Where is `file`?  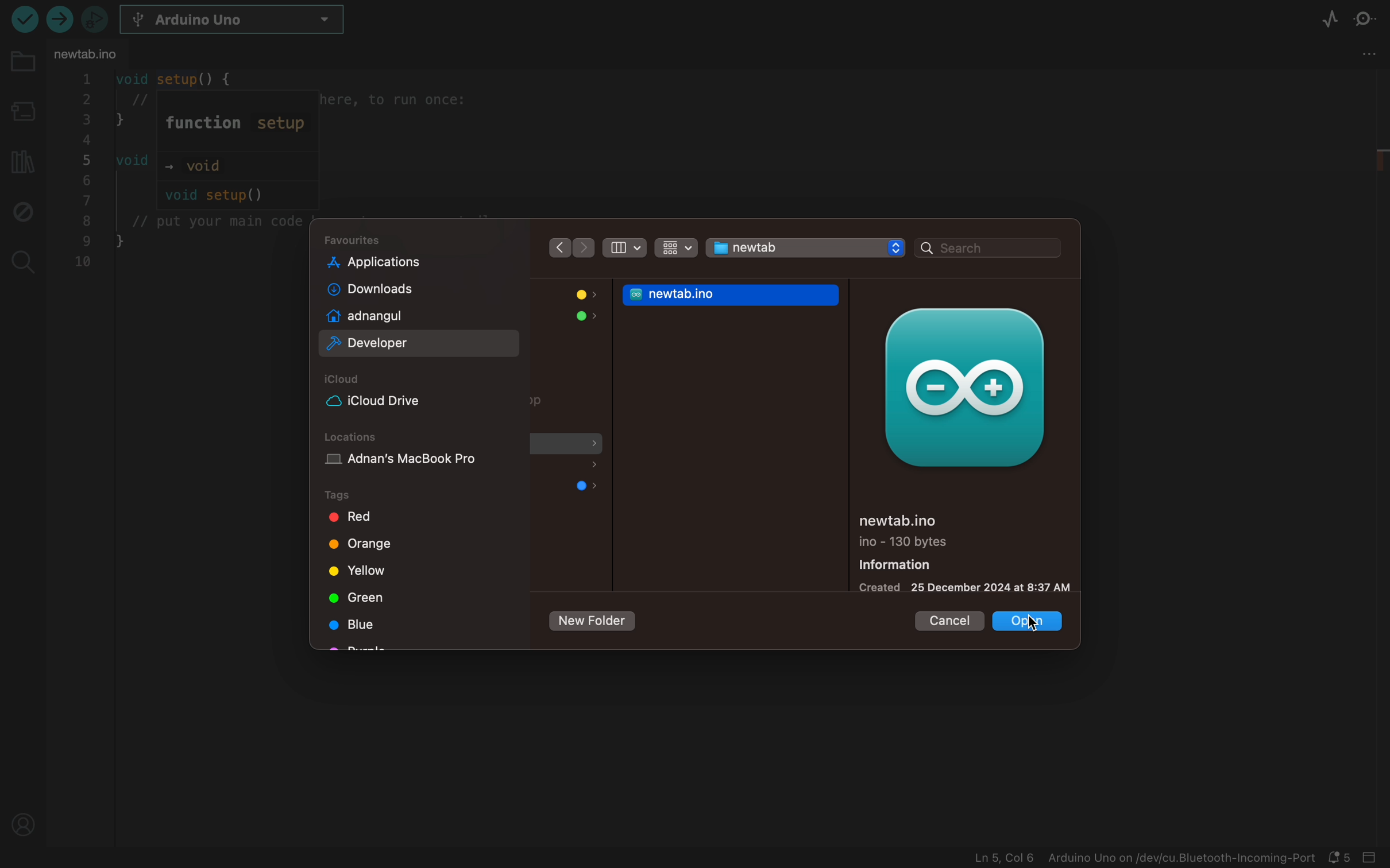
file is located at coordinates (541, 405).